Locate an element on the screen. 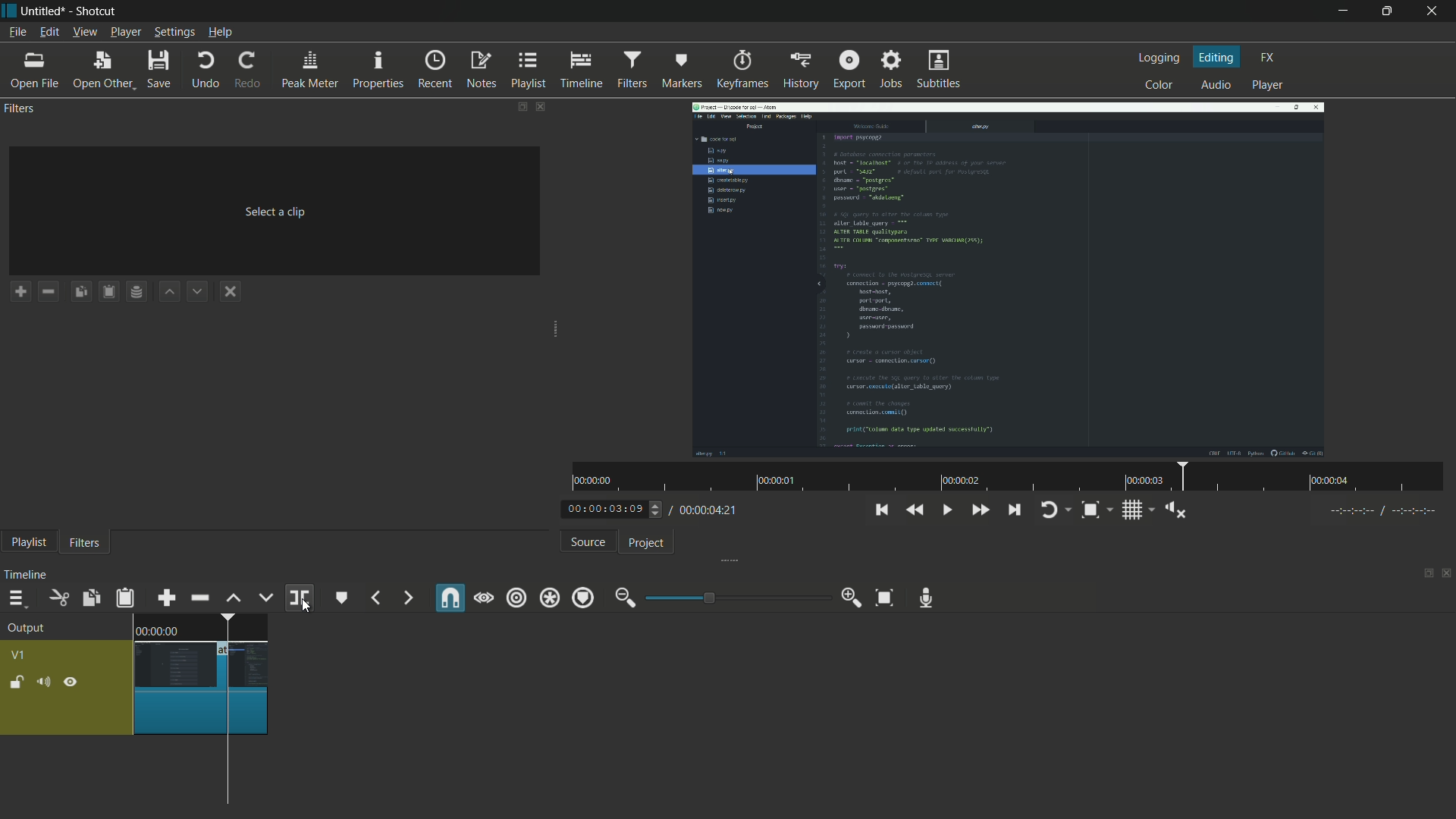  paste filters is located at coordinates (107, 292).